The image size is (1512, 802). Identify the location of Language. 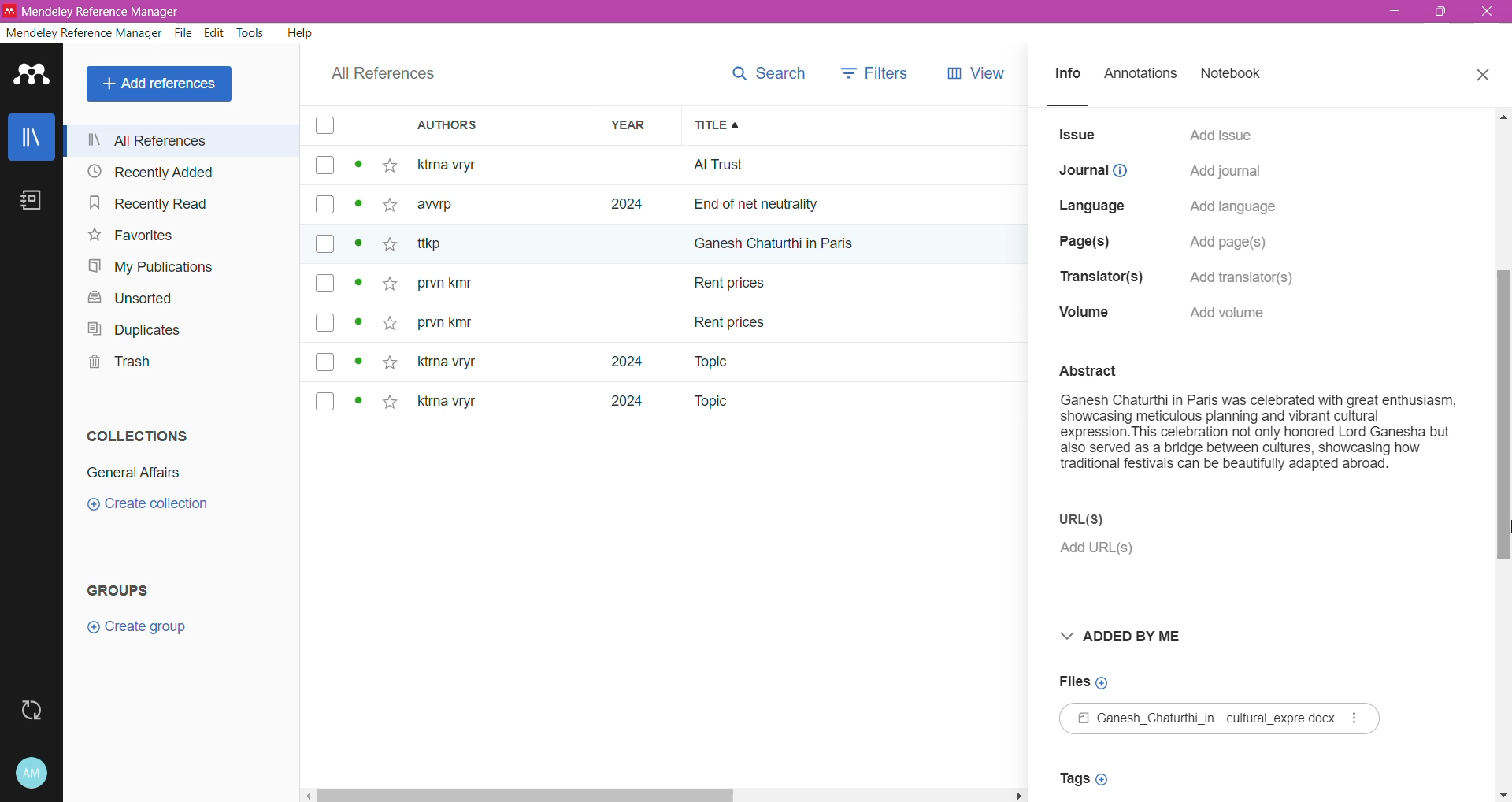
(1096, 203).